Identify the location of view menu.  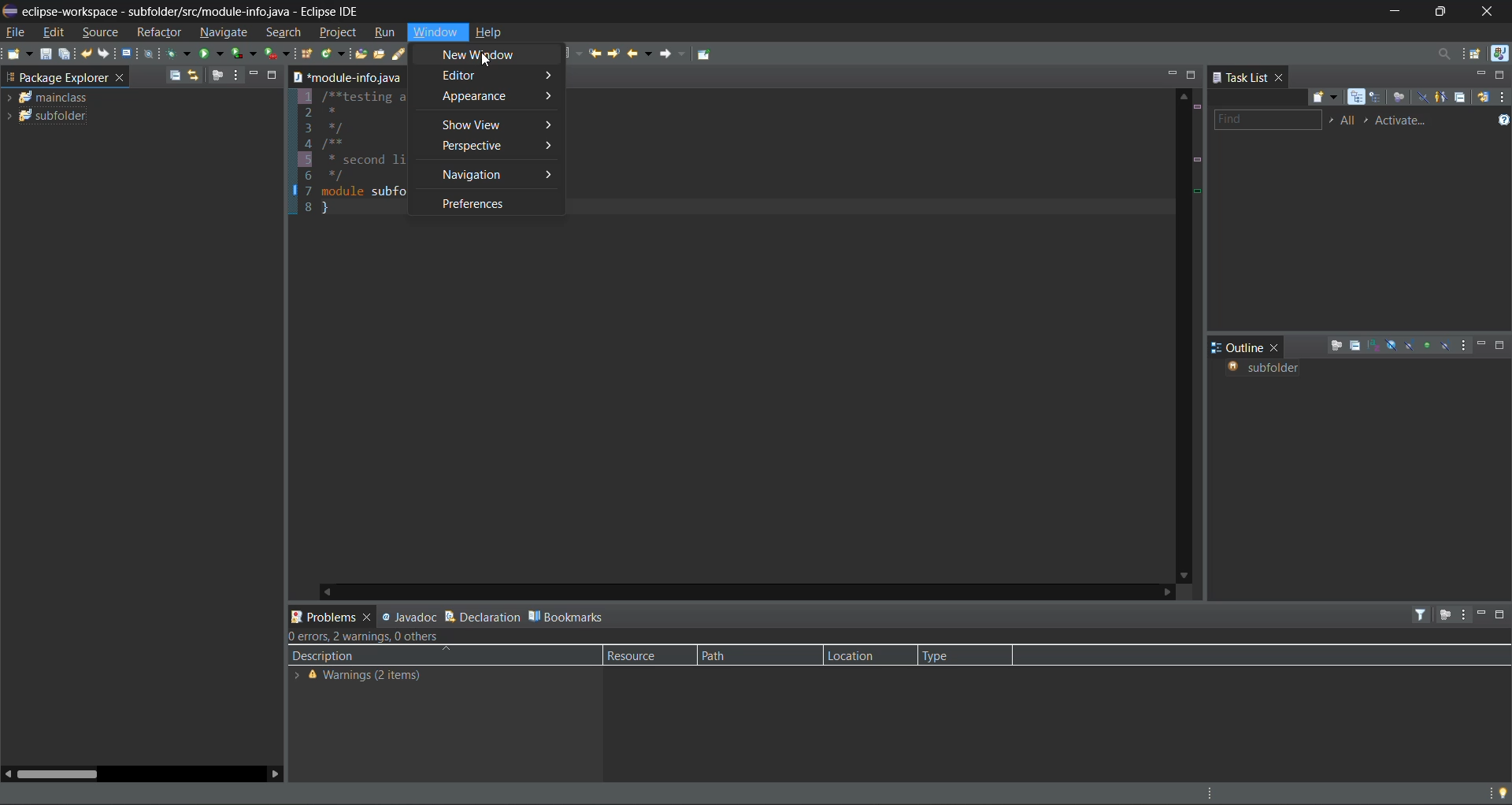
(234, 76).